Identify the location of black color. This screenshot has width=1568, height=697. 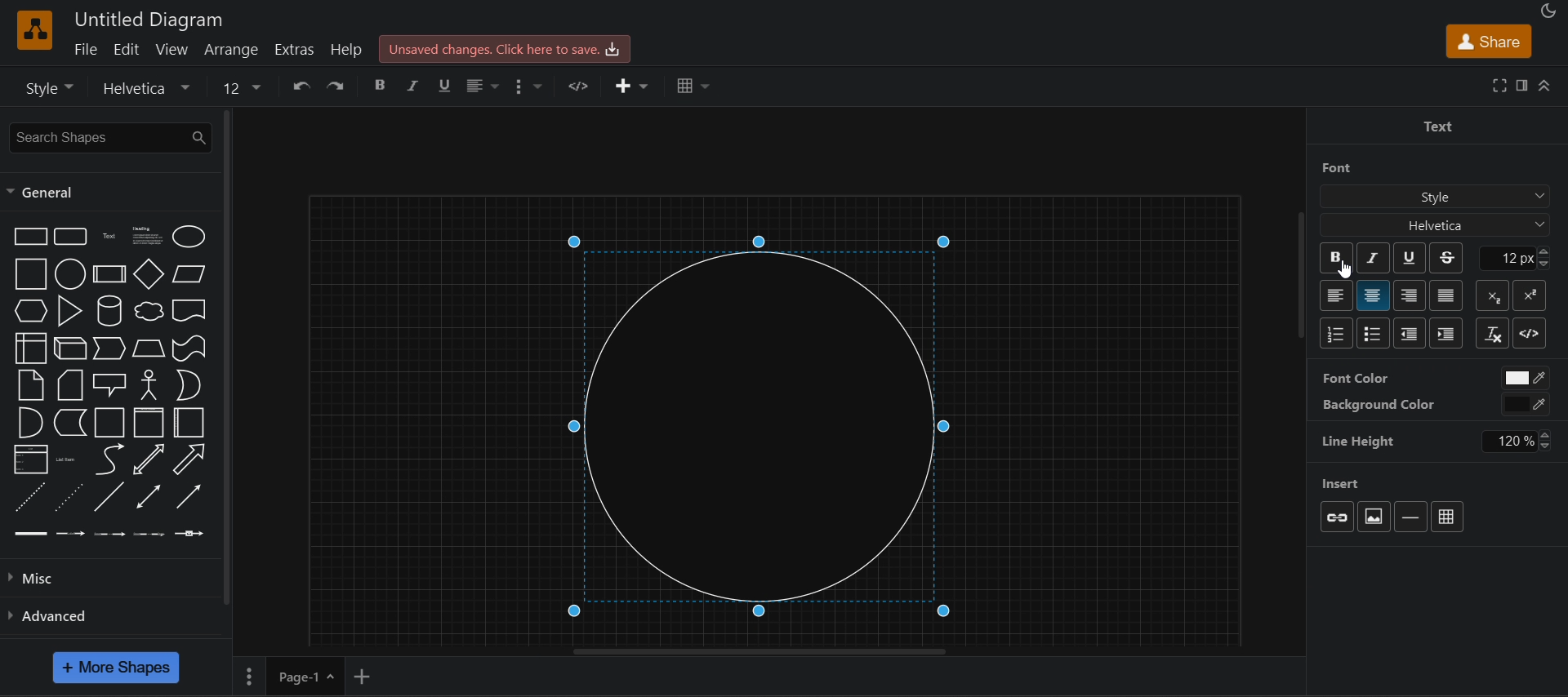
(1528, 402).